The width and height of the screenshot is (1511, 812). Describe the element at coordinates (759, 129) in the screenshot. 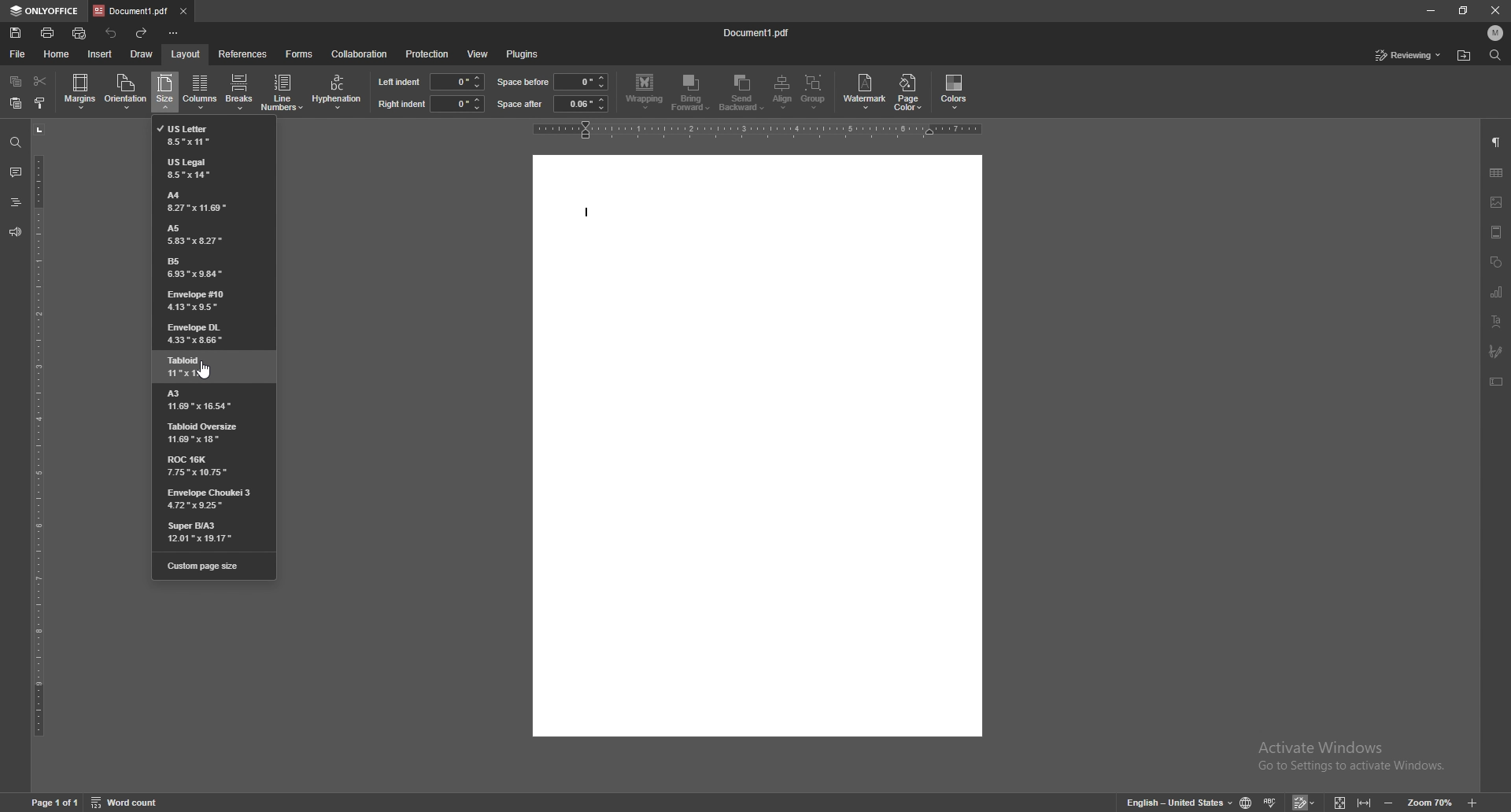

I see `horizontal scale` at that location.